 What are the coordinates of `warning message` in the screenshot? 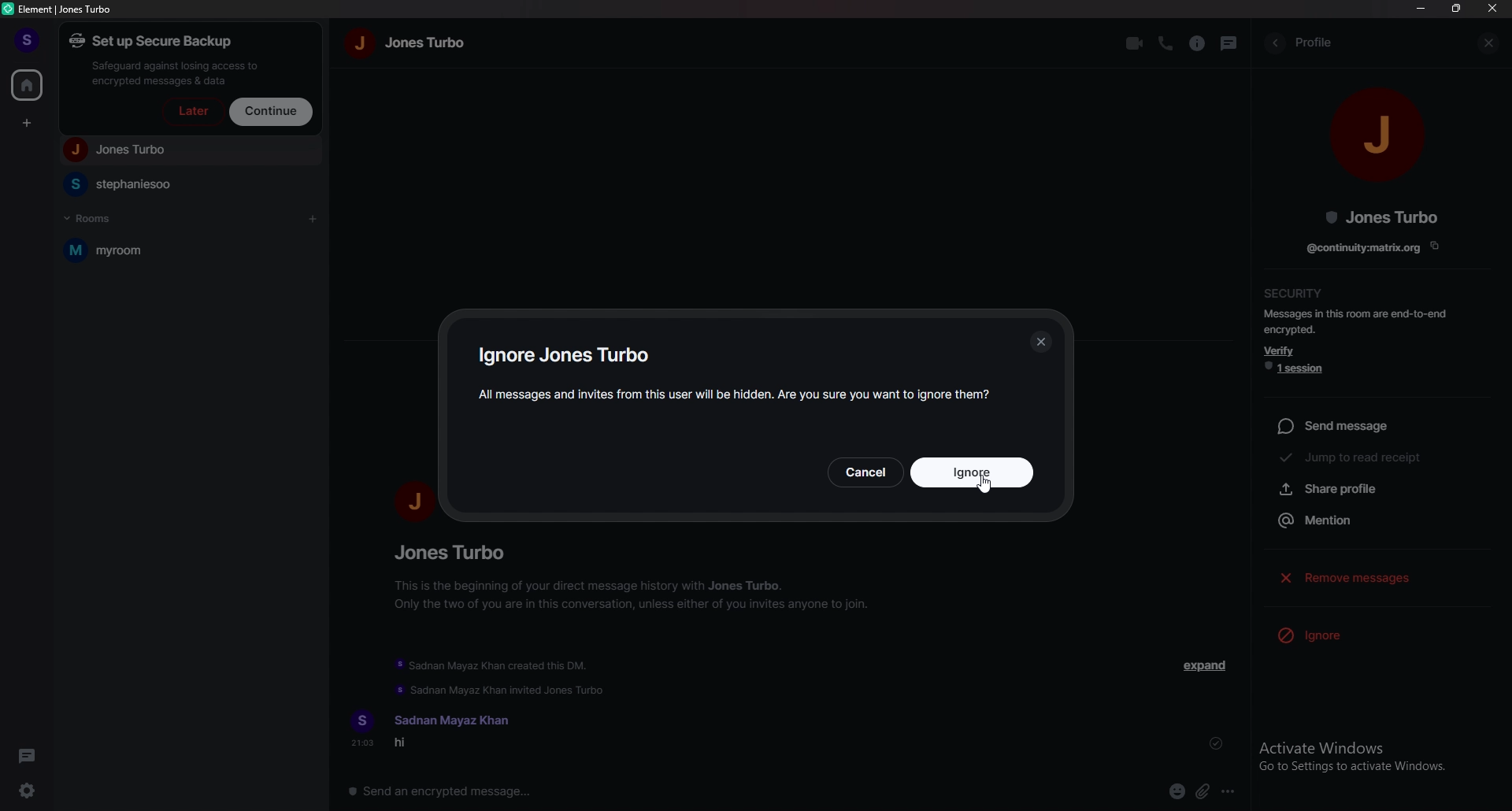 It's located at (739, 391).